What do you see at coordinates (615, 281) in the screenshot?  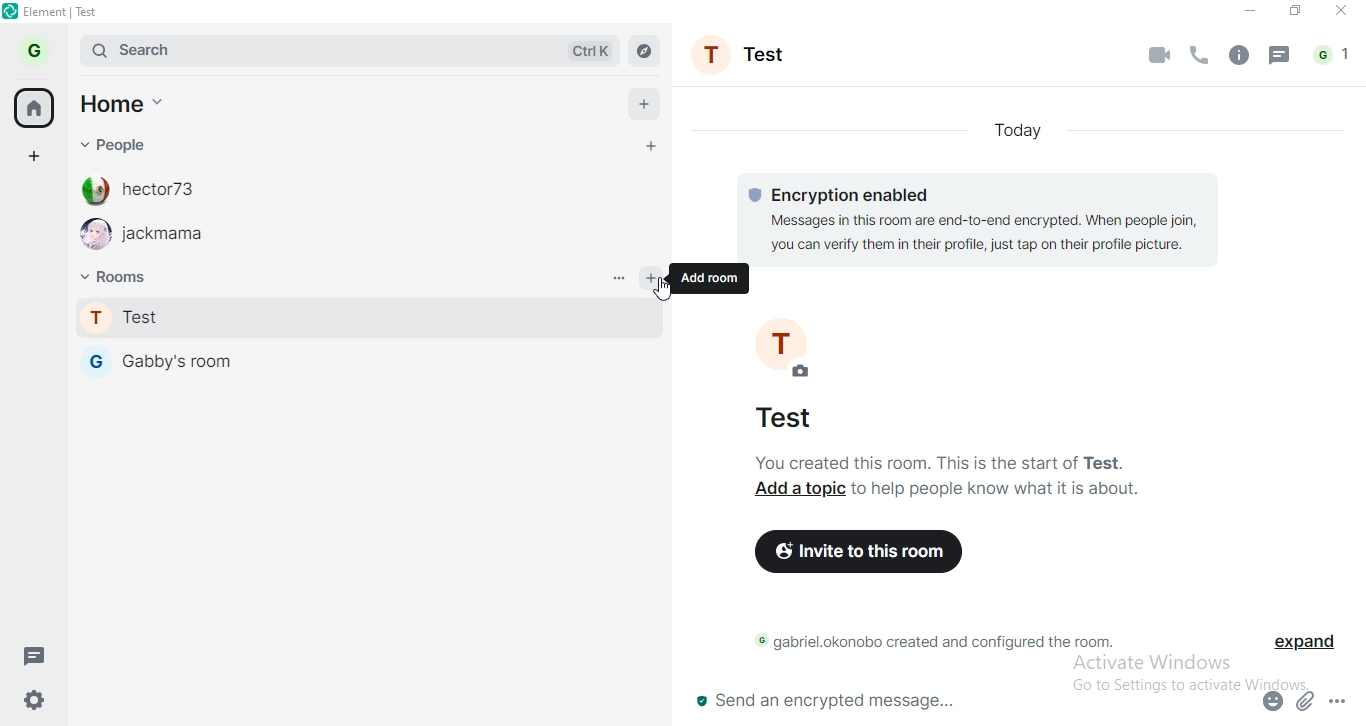 I see `options` at bounding box center [615, 281].